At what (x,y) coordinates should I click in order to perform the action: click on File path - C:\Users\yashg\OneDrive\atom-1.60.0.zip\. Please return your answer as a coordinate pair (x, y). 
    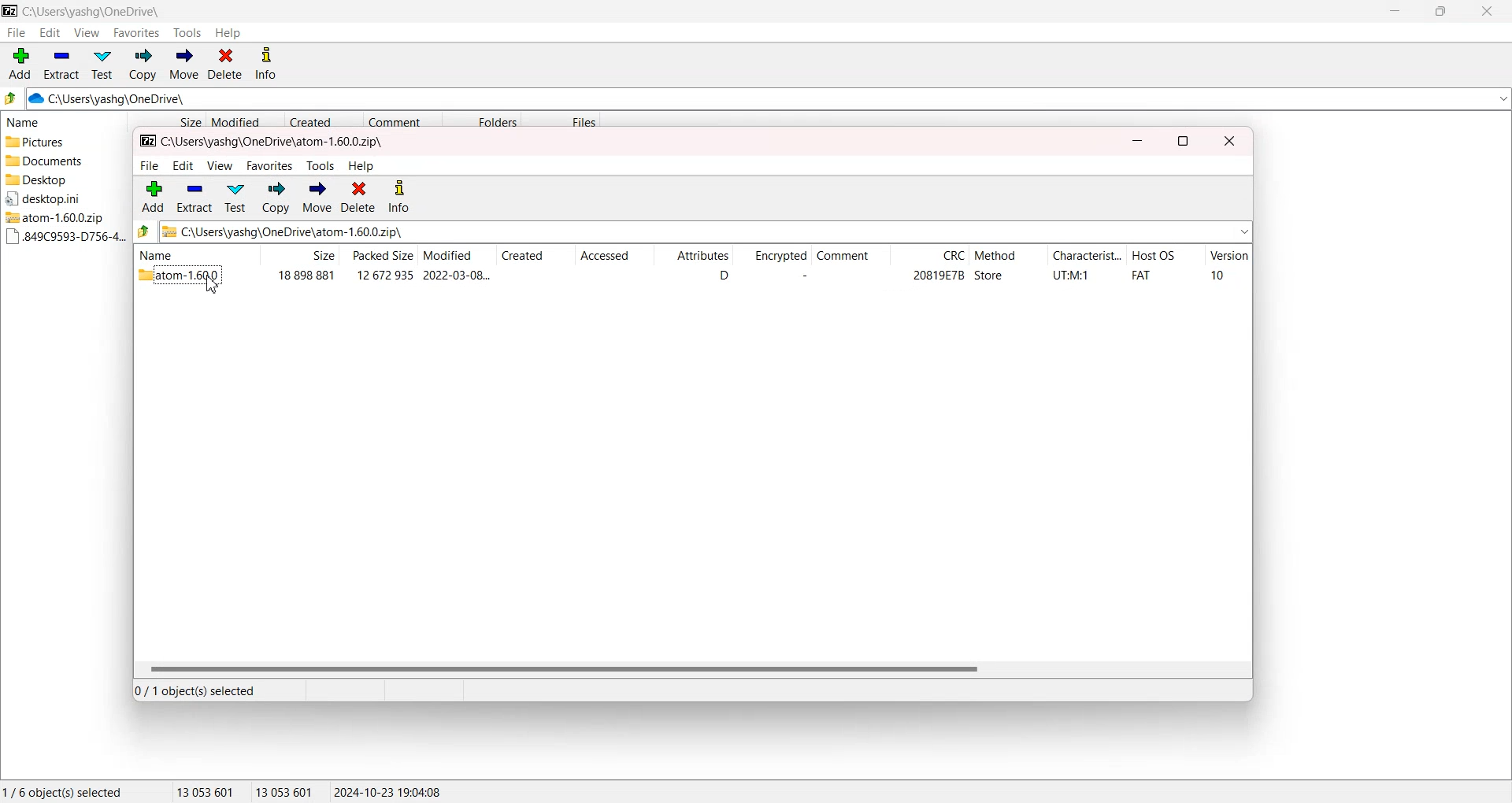
    Looking at the image, I should click on (263, 142).